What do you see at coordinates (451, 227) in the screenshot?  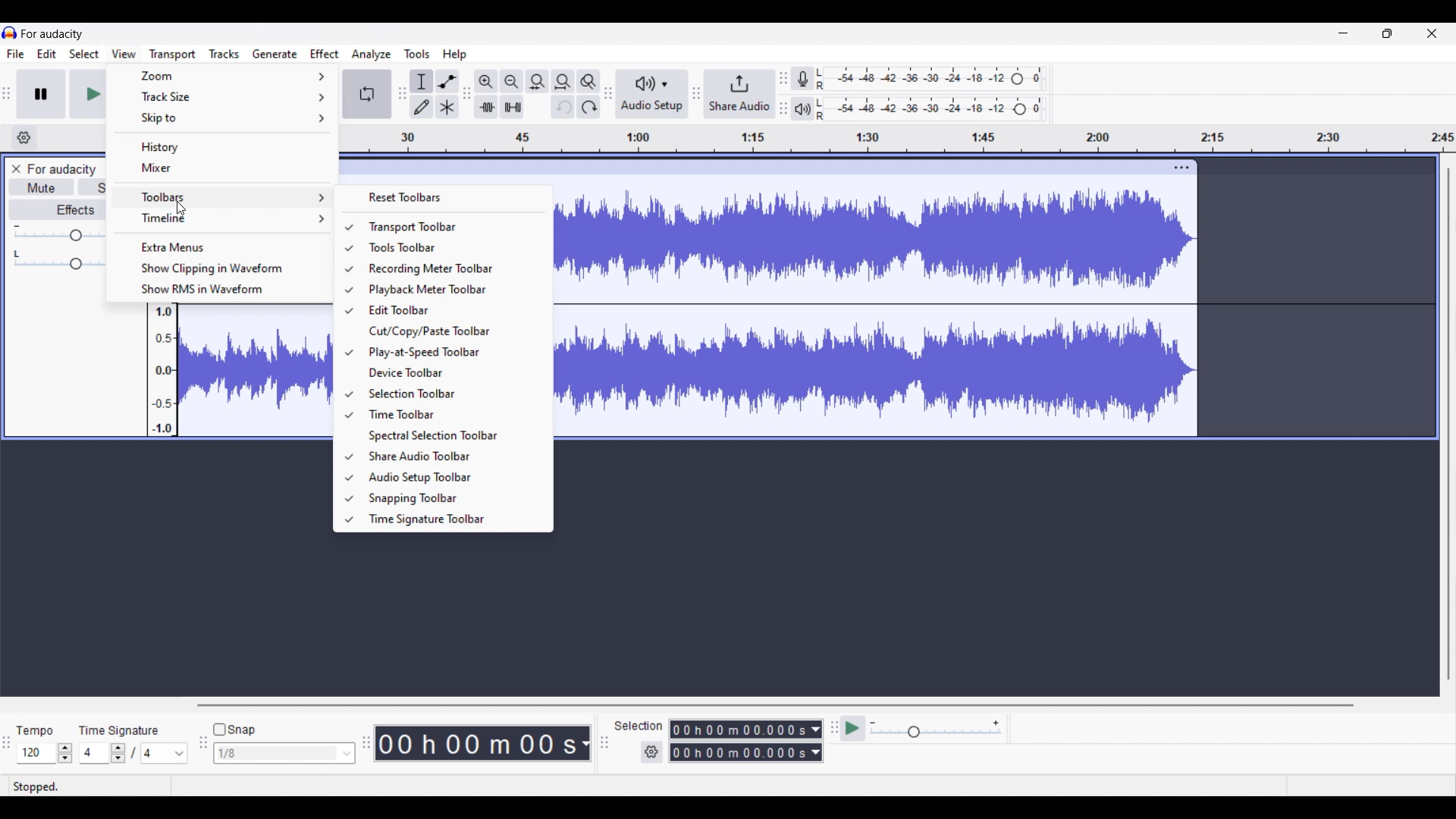 I see `Transport toolbar` at bounding box center [451, 227].